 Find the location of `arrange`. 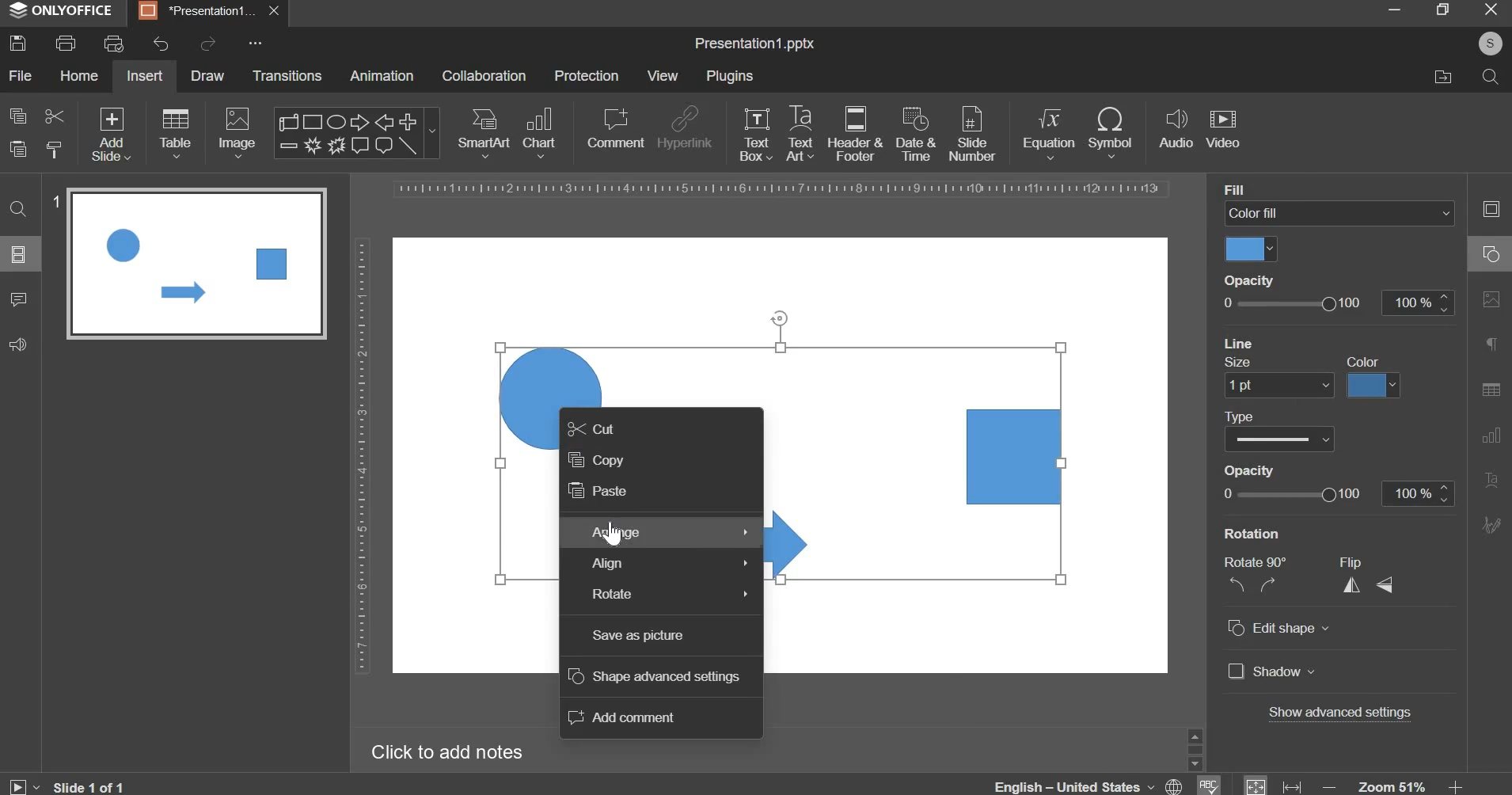

arrange is located at coordinates (669, 532).